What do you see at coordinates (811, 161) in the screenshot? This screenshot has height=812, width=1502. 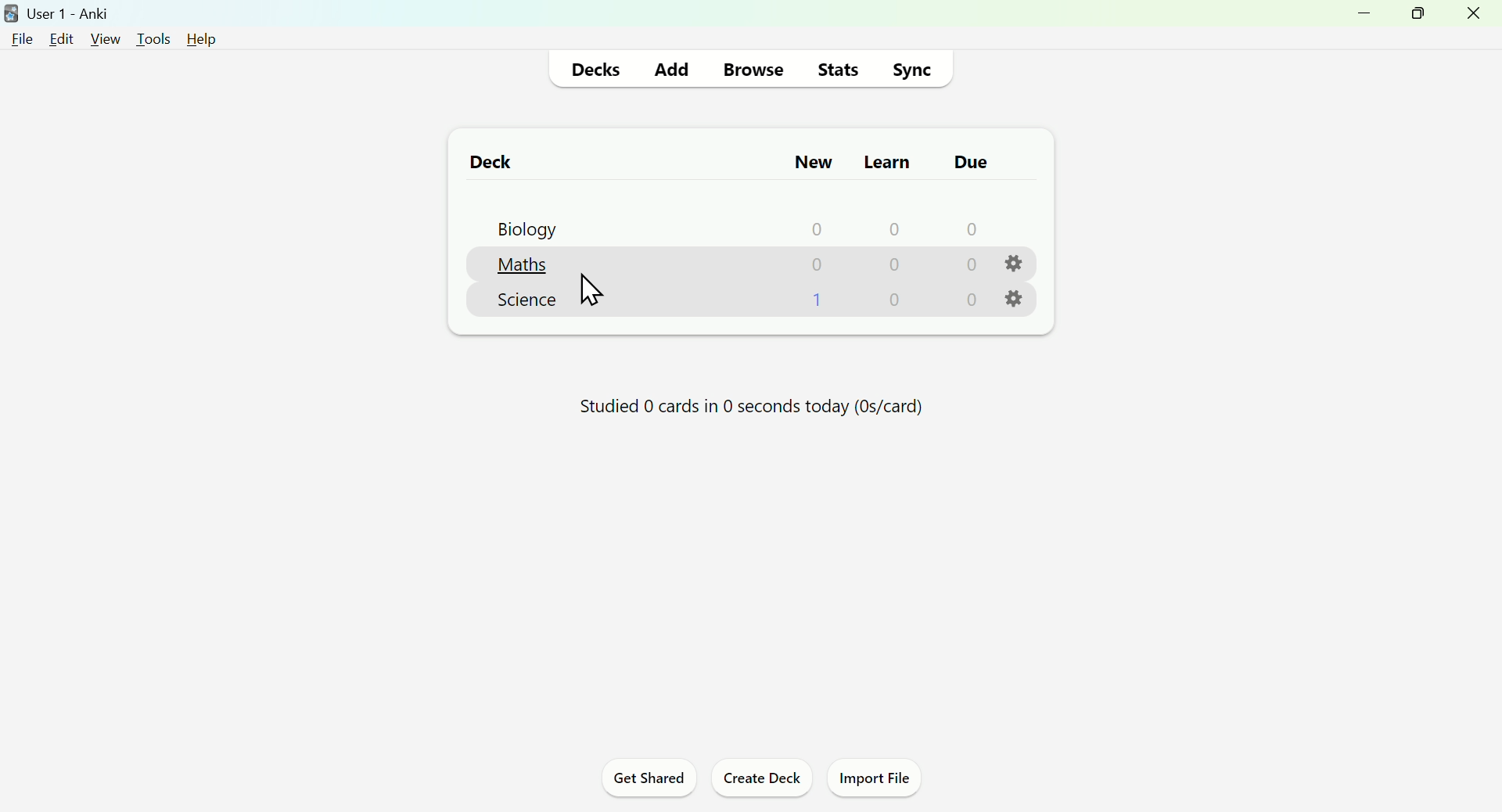 I see `New` at bounding box center [811, 161].